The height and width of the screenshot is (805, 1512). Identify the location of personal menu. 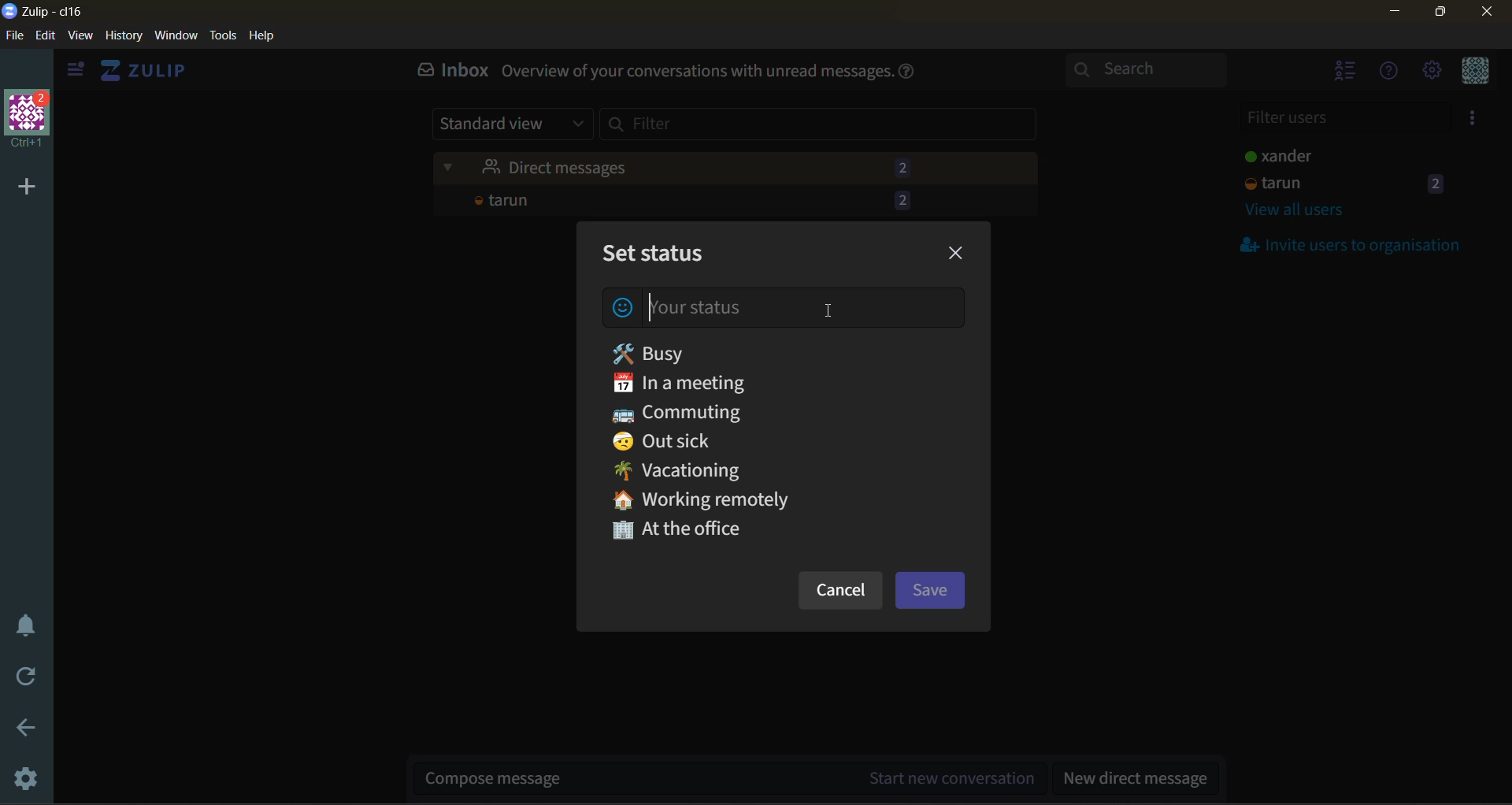
(1474, 73).